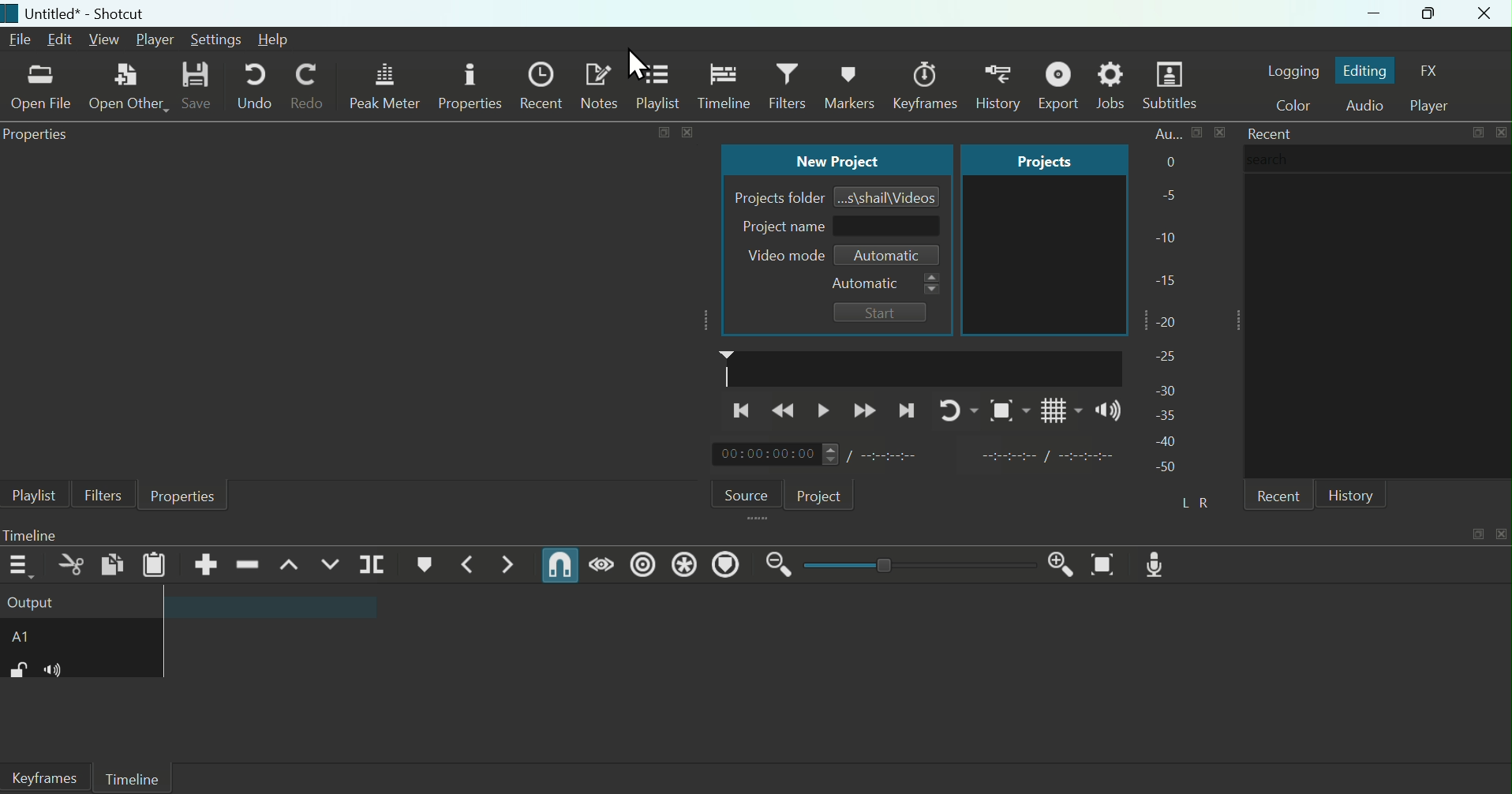 This screenshot has height=794, width=1512. Describe the element at coordinates (288, 564) in the screenshot. I see `Lift` at that location.